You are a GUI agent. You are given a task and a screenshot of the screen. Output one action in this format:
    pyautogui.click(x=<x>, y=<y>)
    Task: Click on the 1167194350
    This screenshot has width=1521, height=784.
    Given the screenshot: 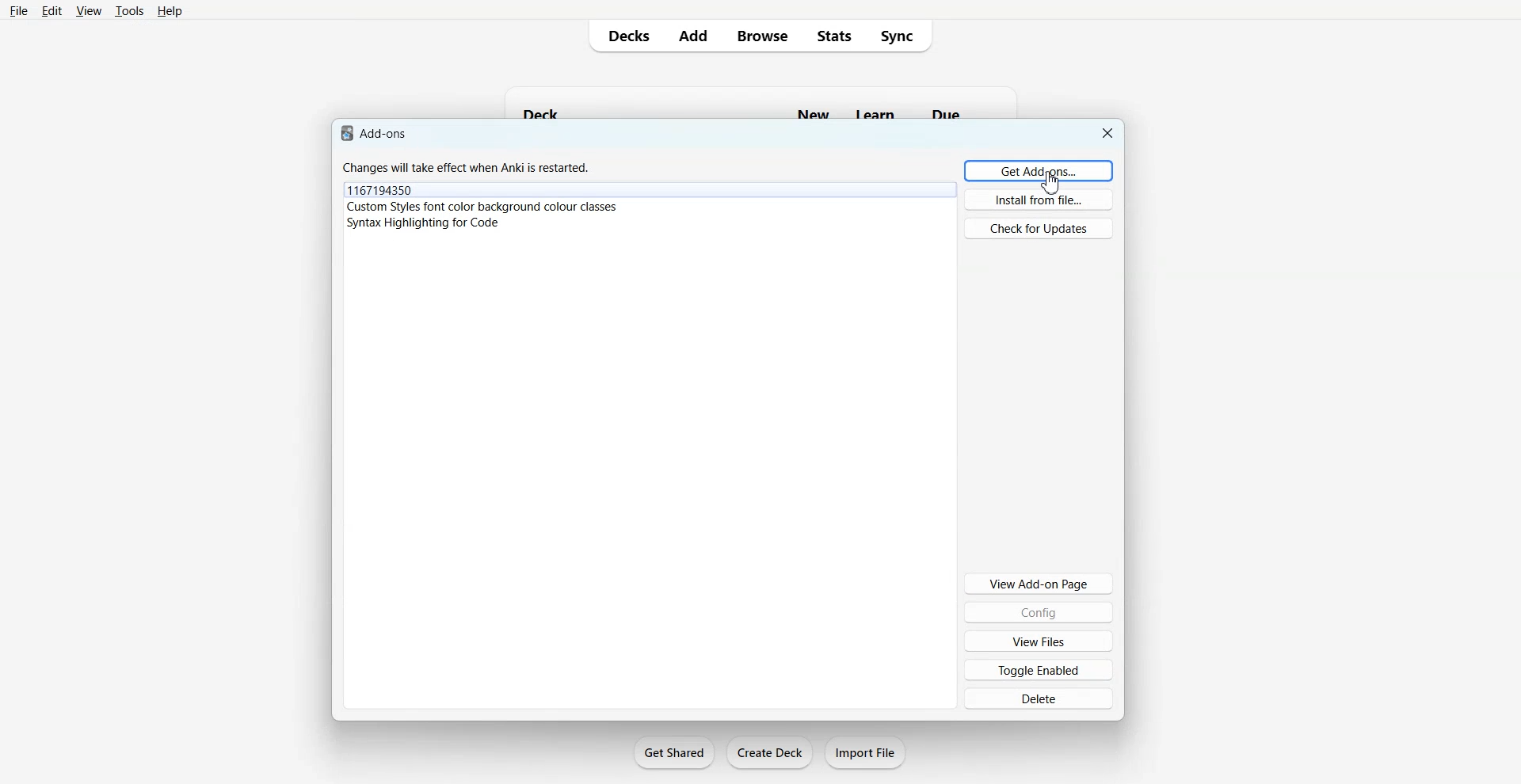 What is the action you would take?
    pyautogui.click(x=381, y=189)
    